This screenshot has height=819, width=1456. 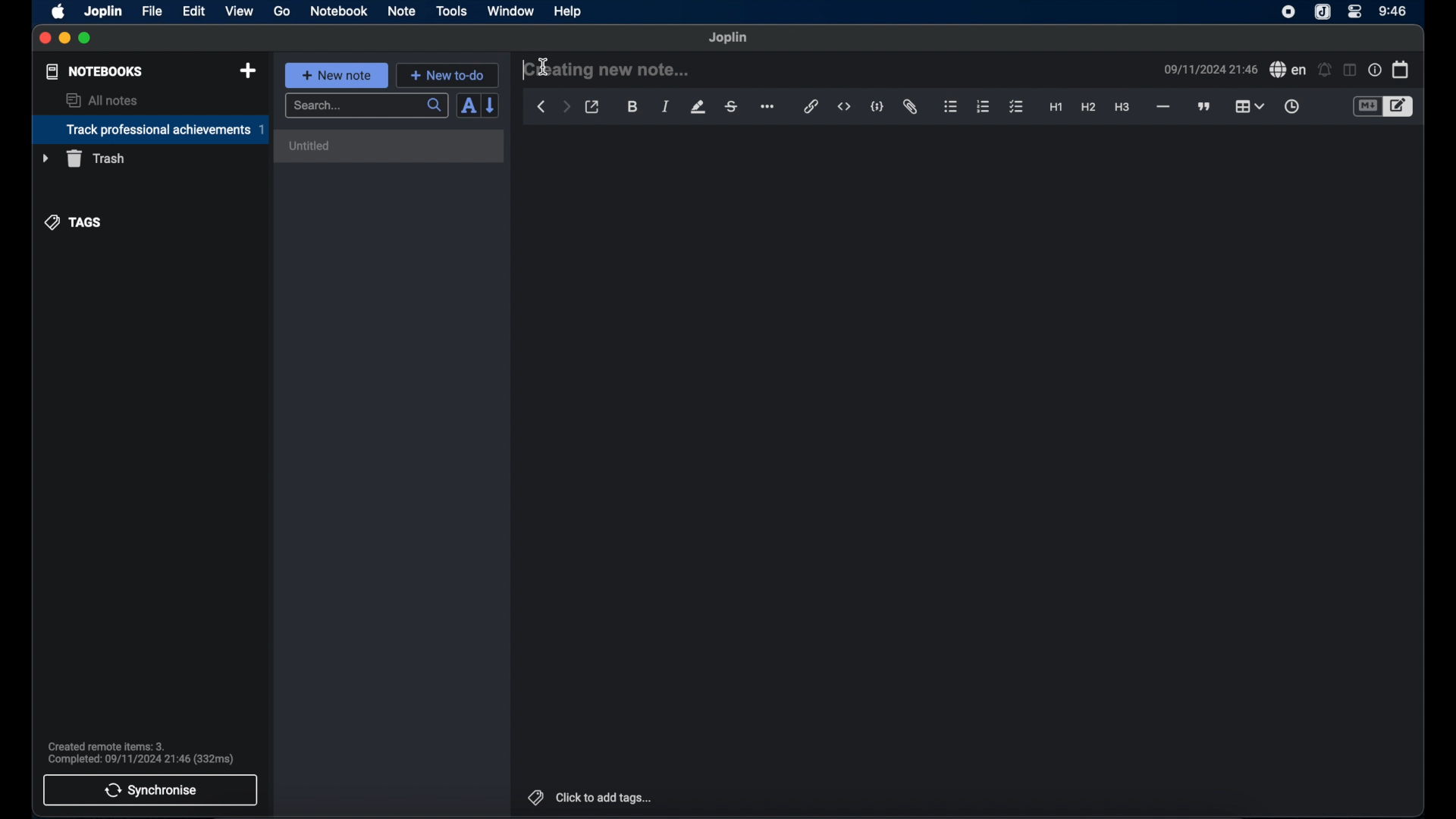 What do you see at coordinates (466, 107) in the screenshot?
I see `toggle sort order field` at bounding box center [466, 107].